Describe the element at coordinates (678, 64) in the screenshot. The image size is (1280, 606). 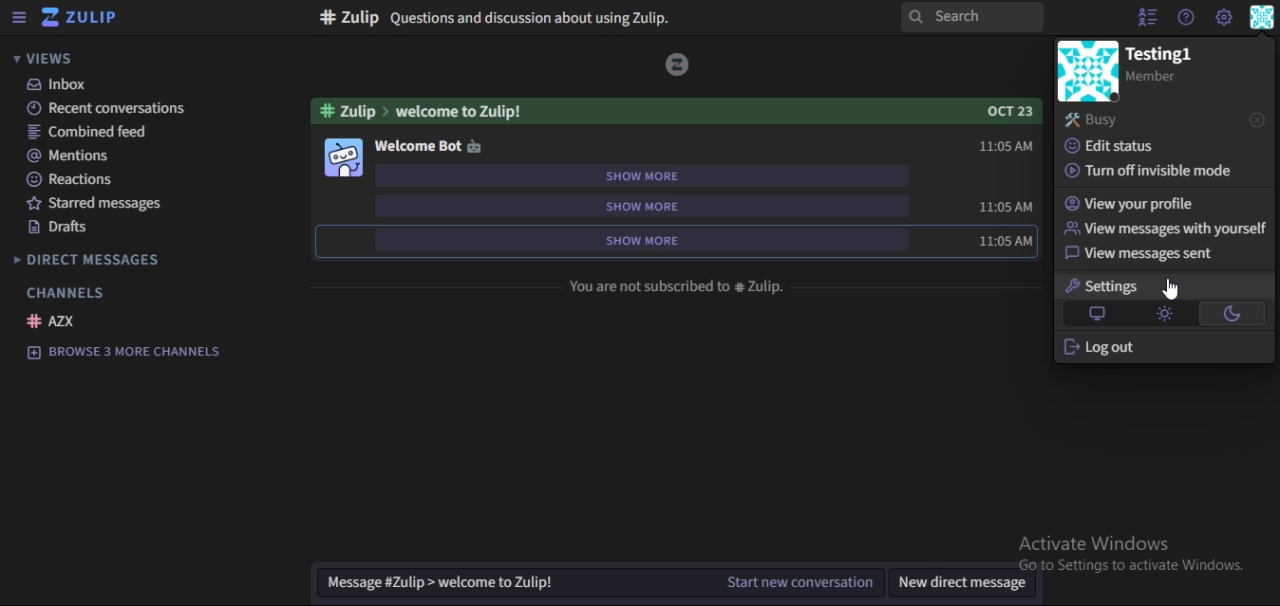
I see `Image` at that location.